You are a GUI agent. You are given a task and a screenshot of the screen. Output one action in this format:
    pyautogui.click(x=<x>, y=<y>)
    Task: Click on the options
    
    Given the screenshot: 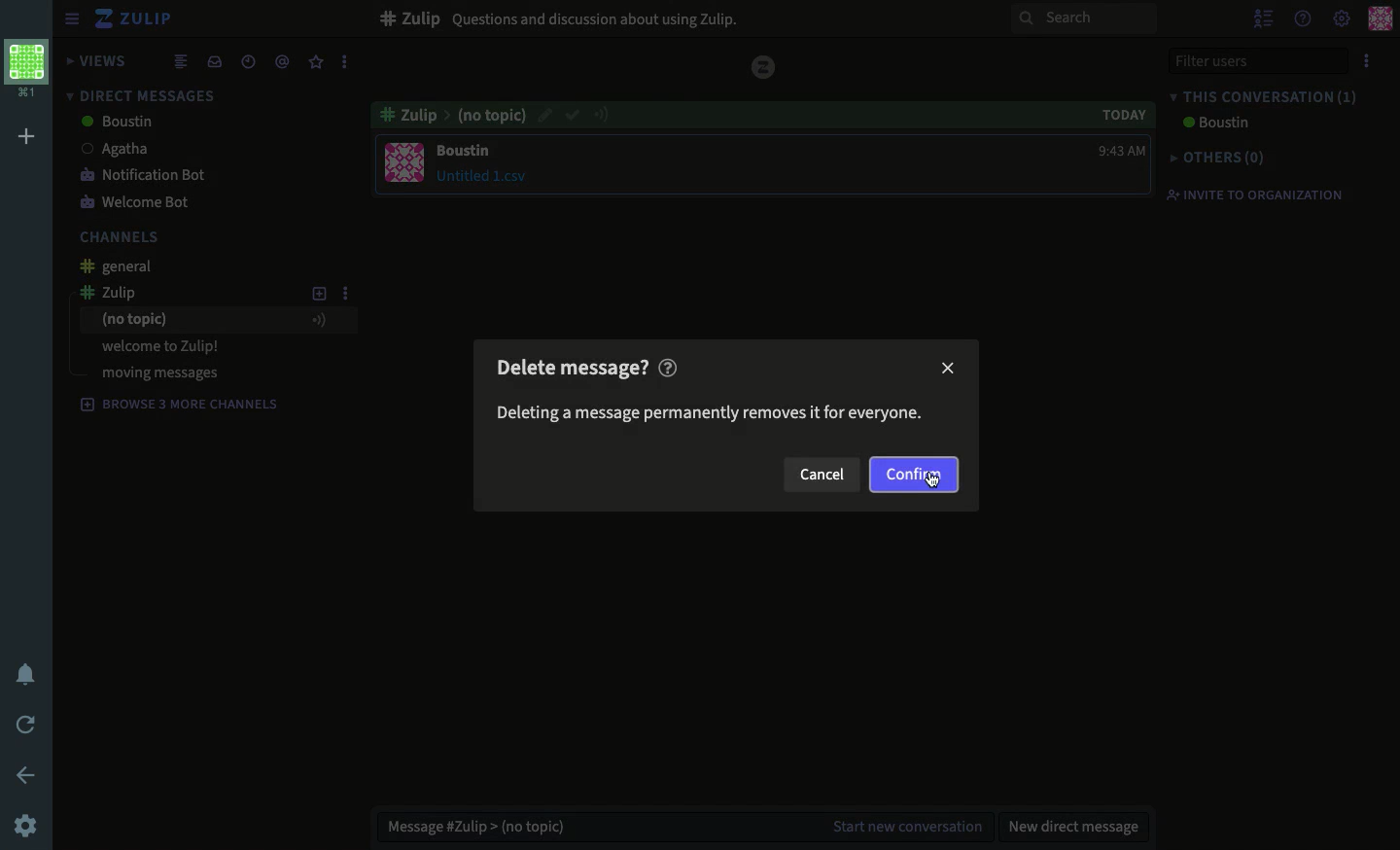 What is the action you would take?
    pyautogui.click(x=1367, y=62)
    